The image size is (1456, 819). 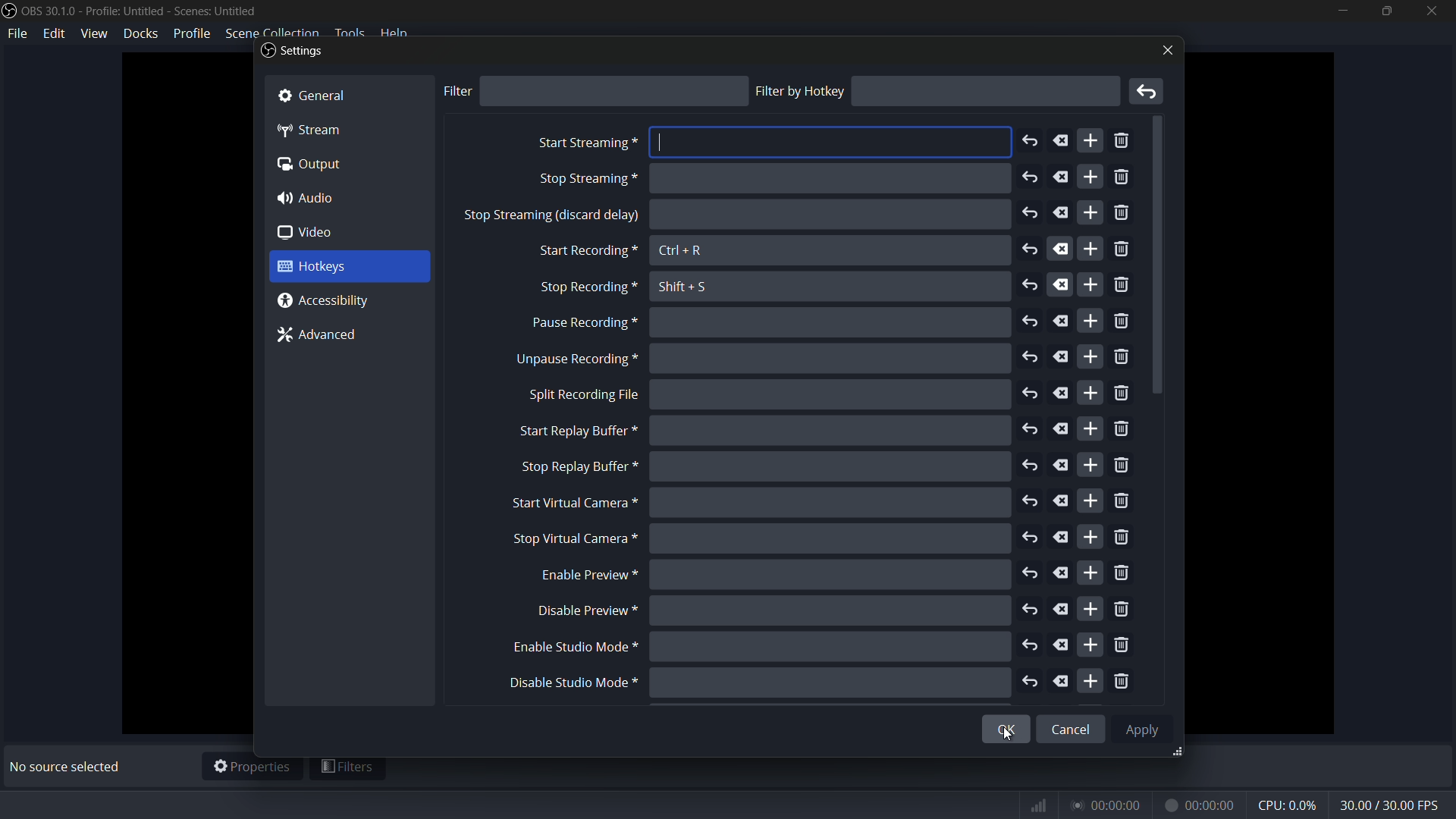 I want to click on undo, so click(x=1031, y=285).